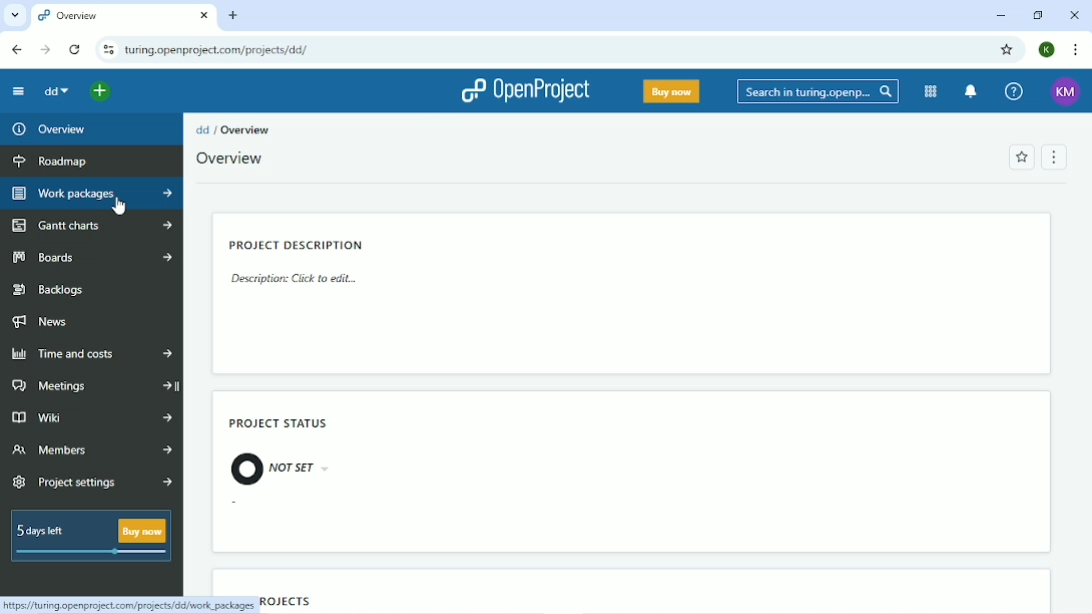 Image resolution: width=1092 pixels, height=614 pixels. What do you see at coordinates (232, 16) in the screenshot?
I see `New tab` at bounding box center [232, 16].